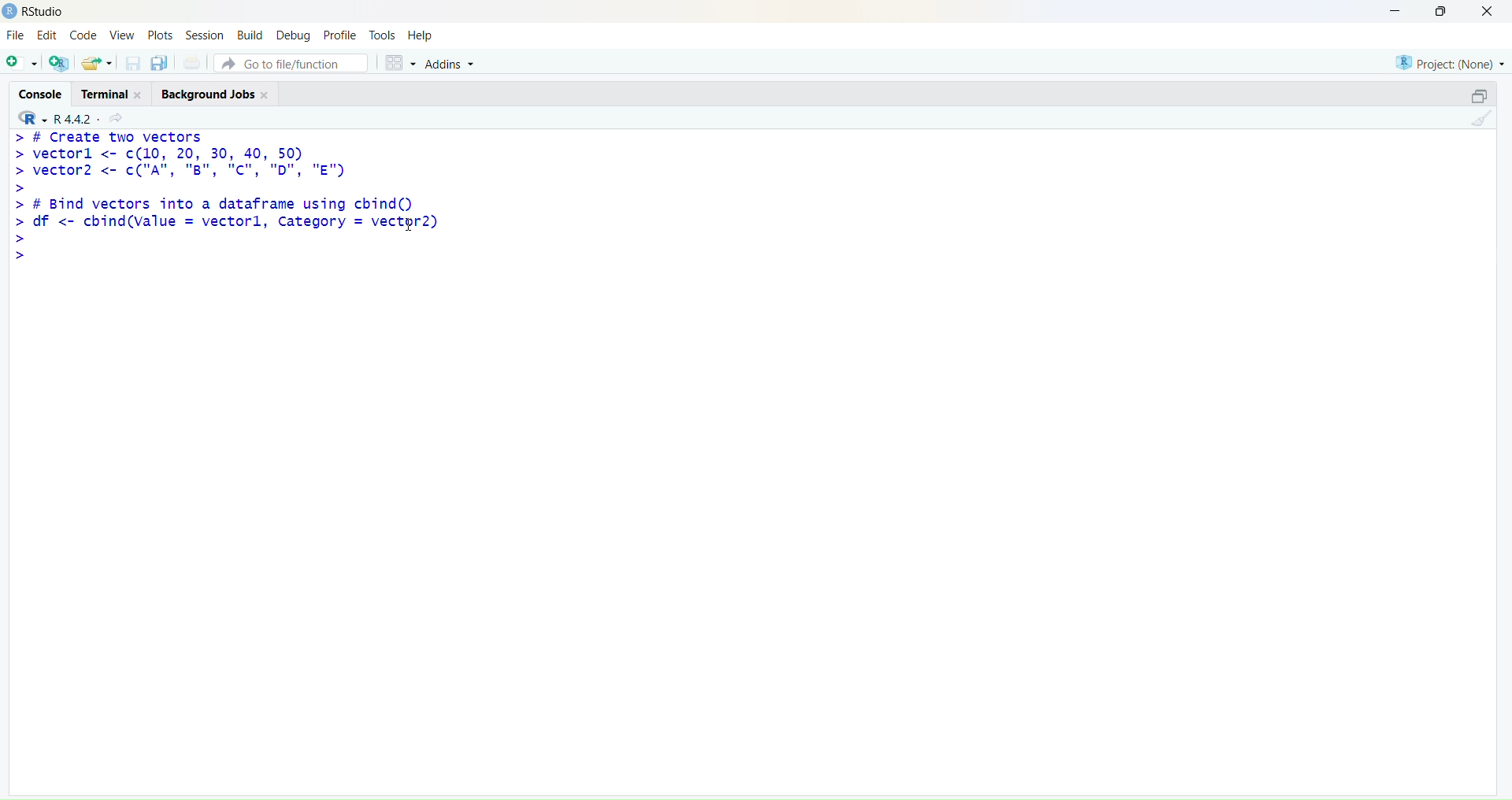 Image resolution: width=1512 pixels, height=800 pixels. What do you see at coordinates (295, 35) in the screenshot?
I see `Debug` at bounding box center [295, 35].